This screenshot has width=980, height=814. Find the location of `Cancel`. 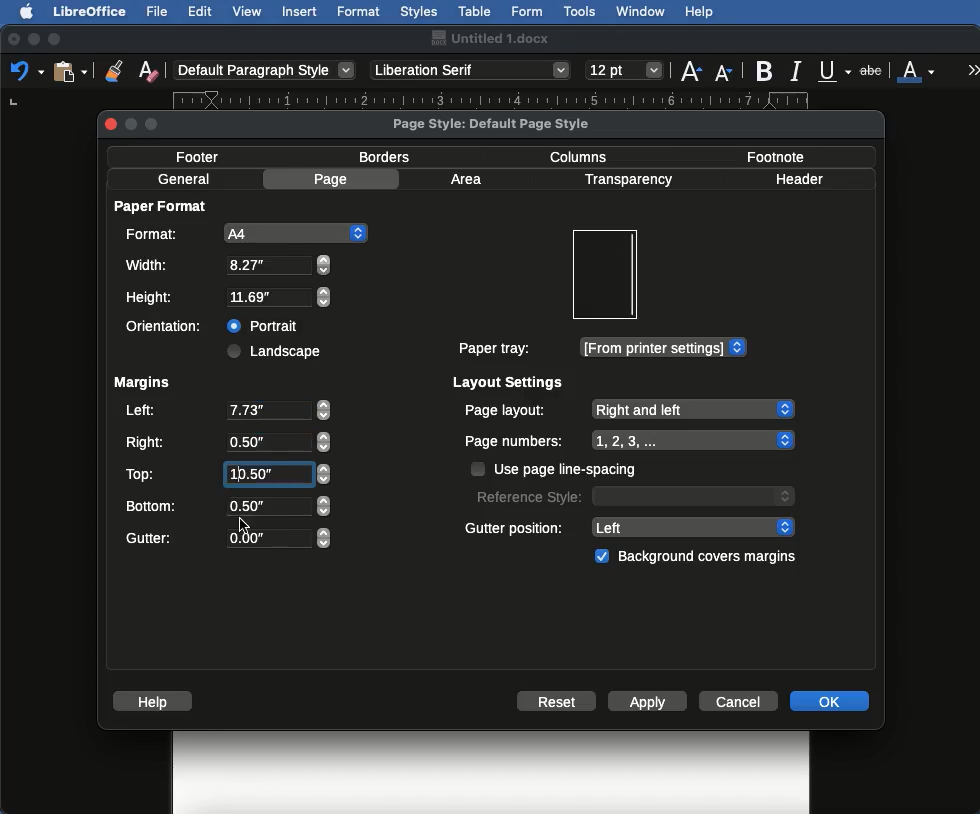

Cancel is located at coordinates (741, 700).